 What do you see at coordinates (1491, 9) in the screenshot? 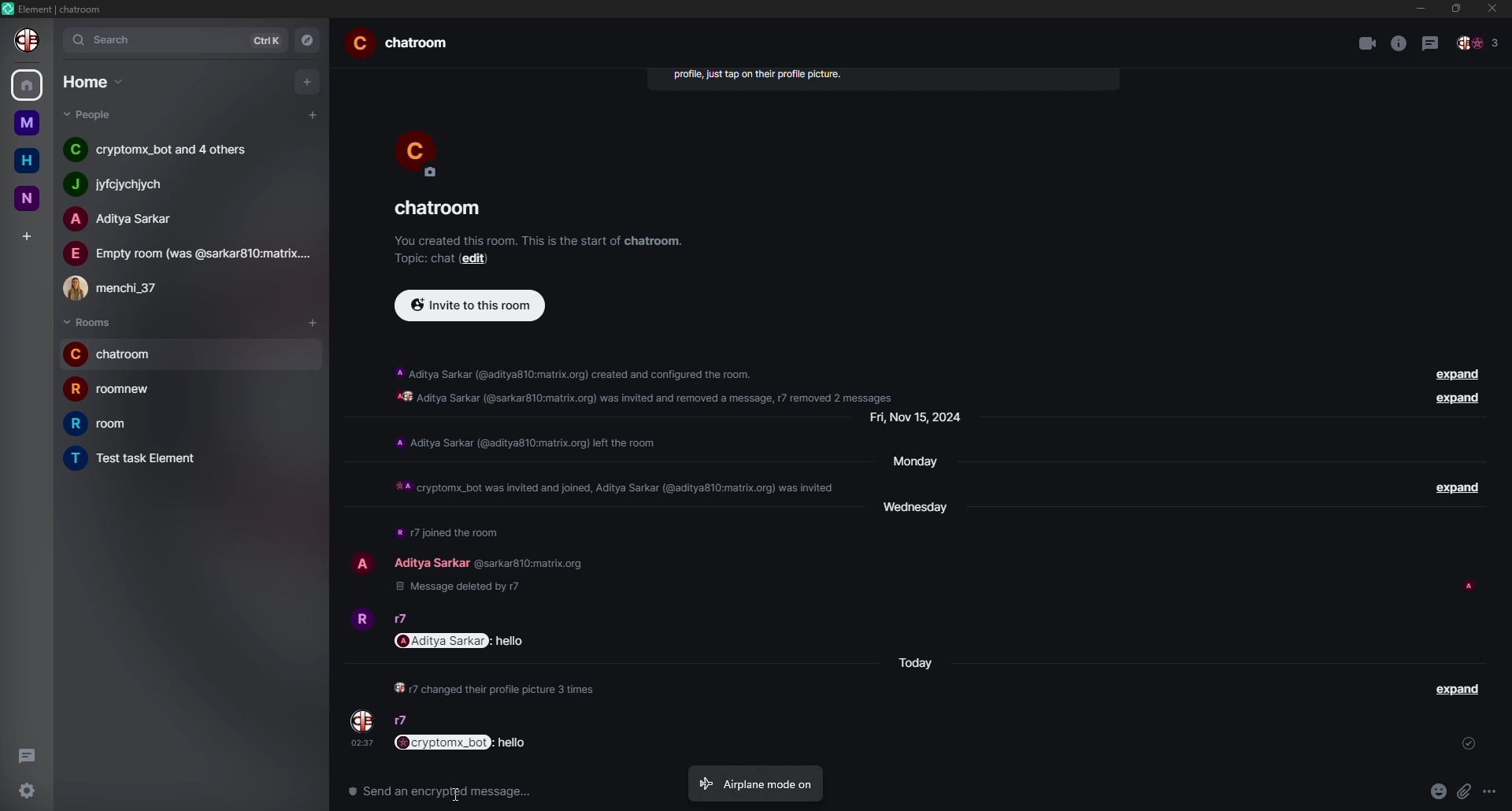
I see `close` at bounding box center [1491, 9].